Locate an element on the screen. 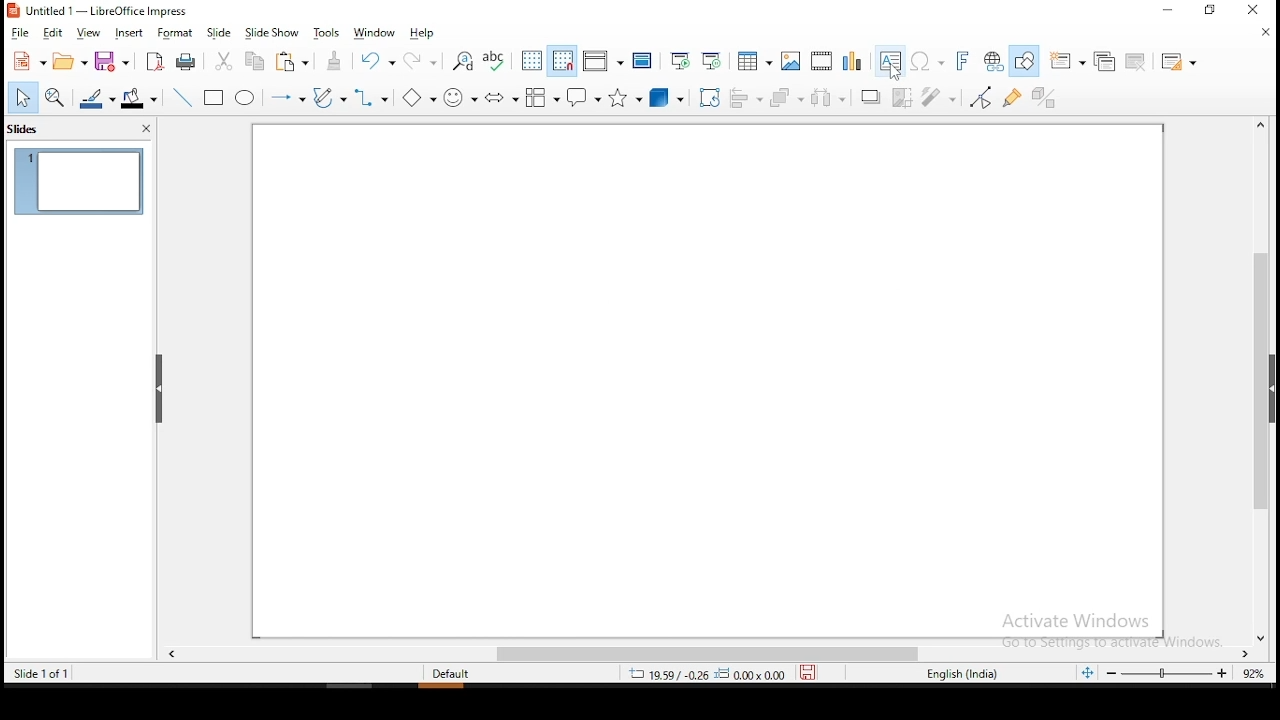 Image resolution: width=1280 pixels, height=720 pixels. 3D objects is located at coordinates (670, 97).